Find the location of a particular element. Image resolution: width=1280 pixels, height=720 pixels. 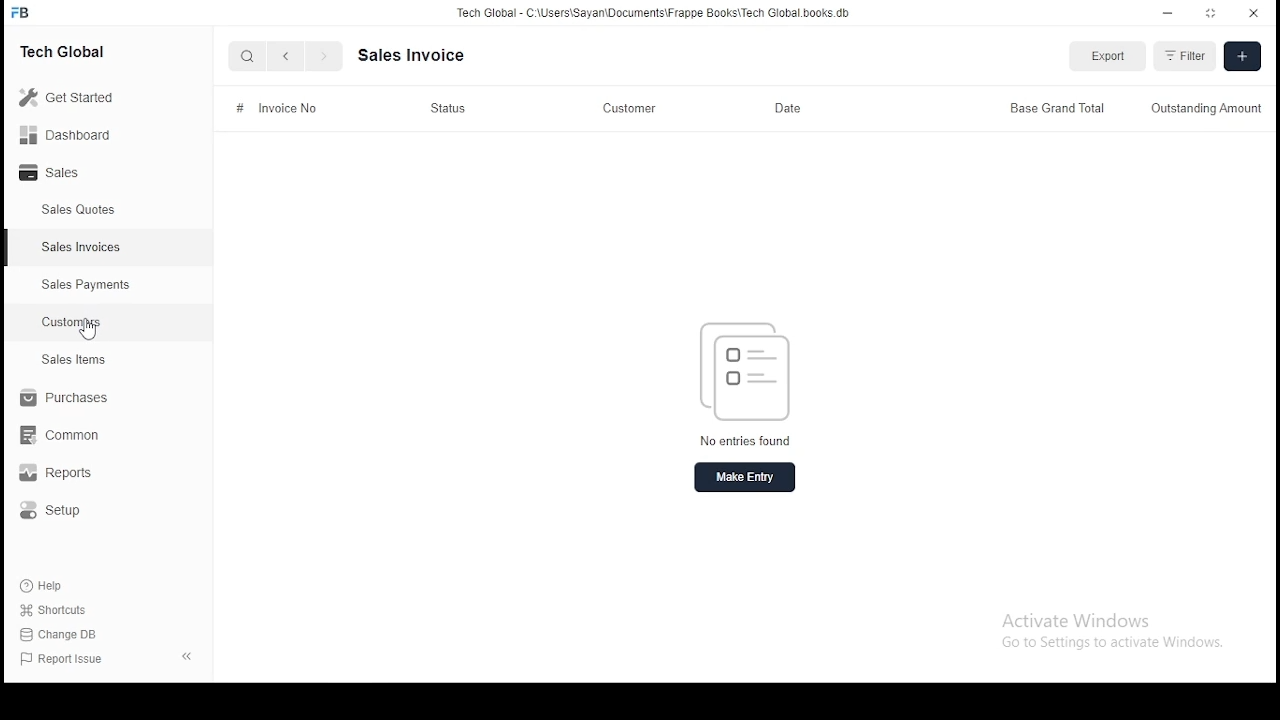

purchase is located at coordinates (59, 398).